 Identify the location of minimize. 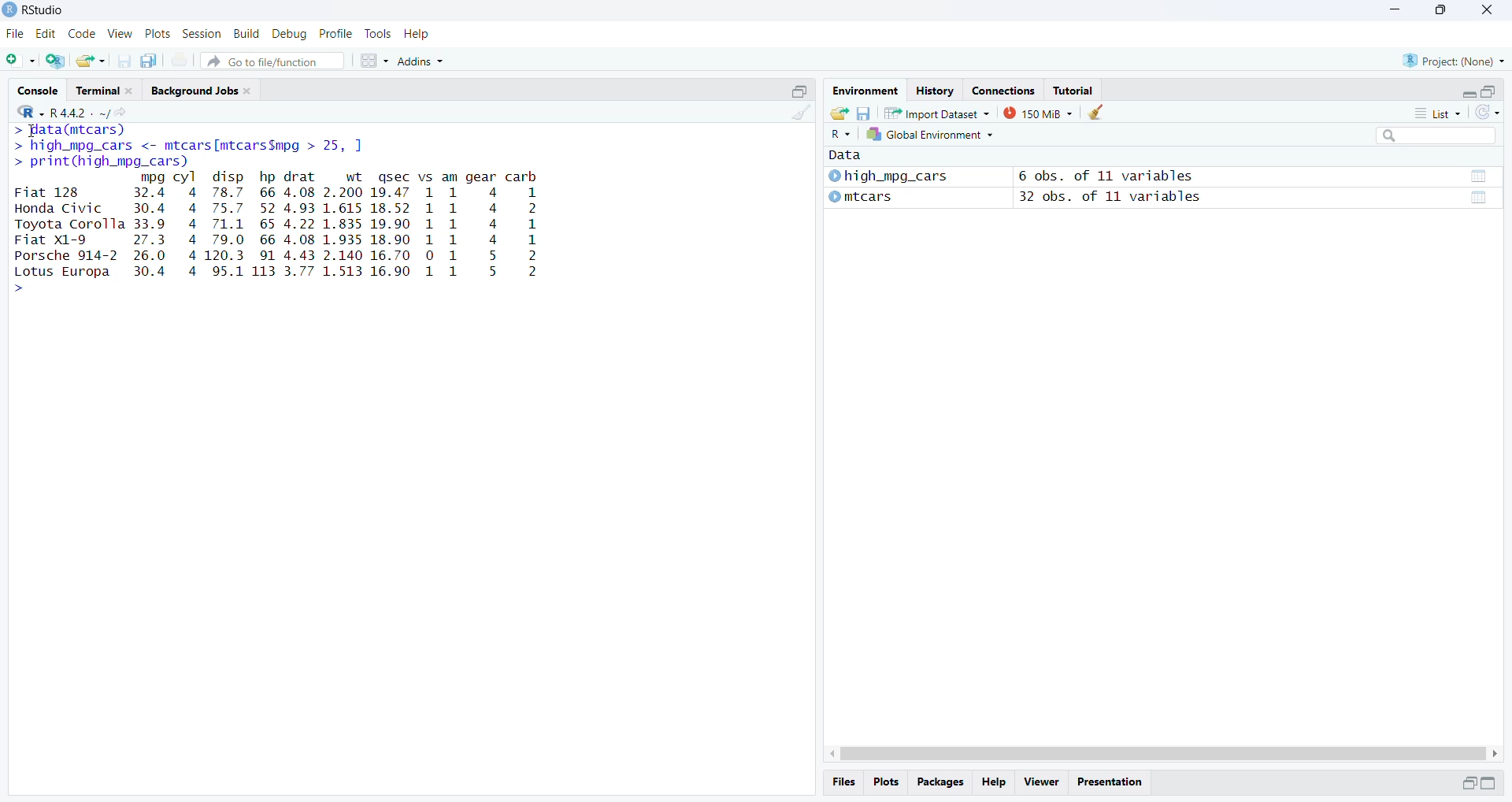
(1396, 9).